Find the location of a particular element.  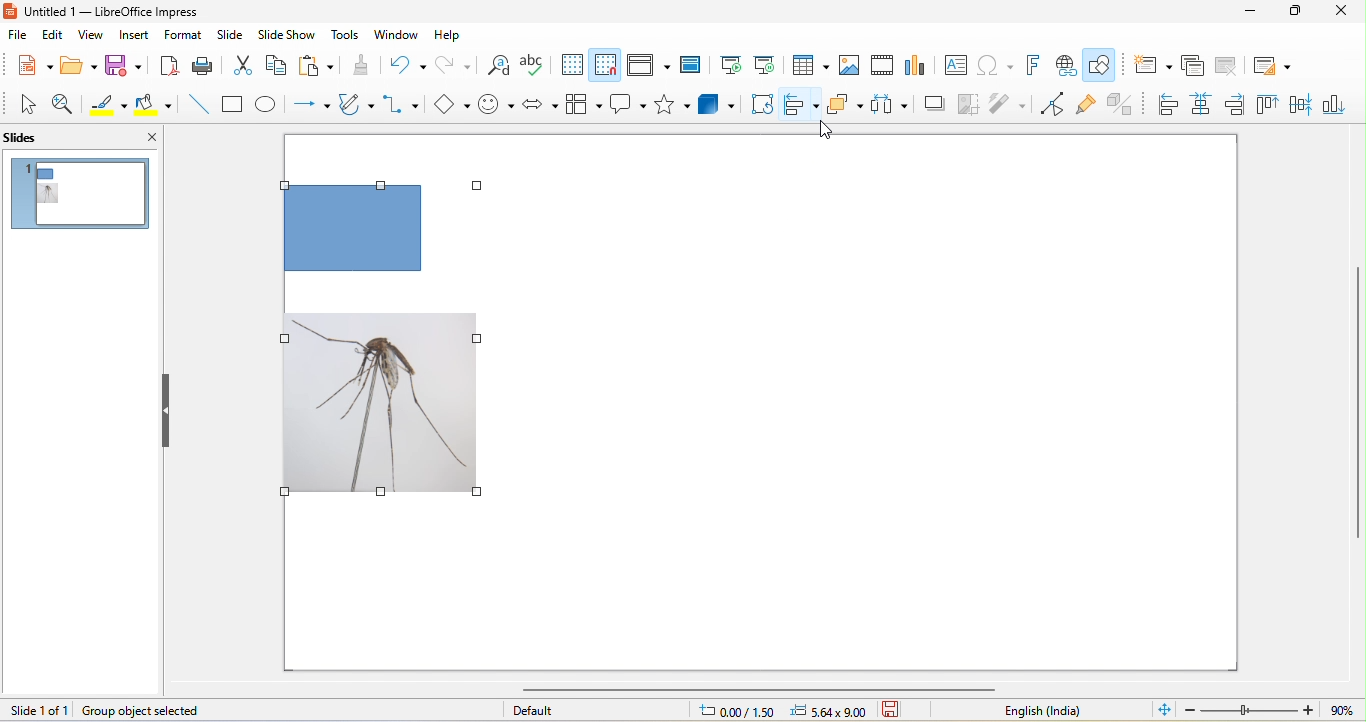

spelling is located at coordinates (537, 66).